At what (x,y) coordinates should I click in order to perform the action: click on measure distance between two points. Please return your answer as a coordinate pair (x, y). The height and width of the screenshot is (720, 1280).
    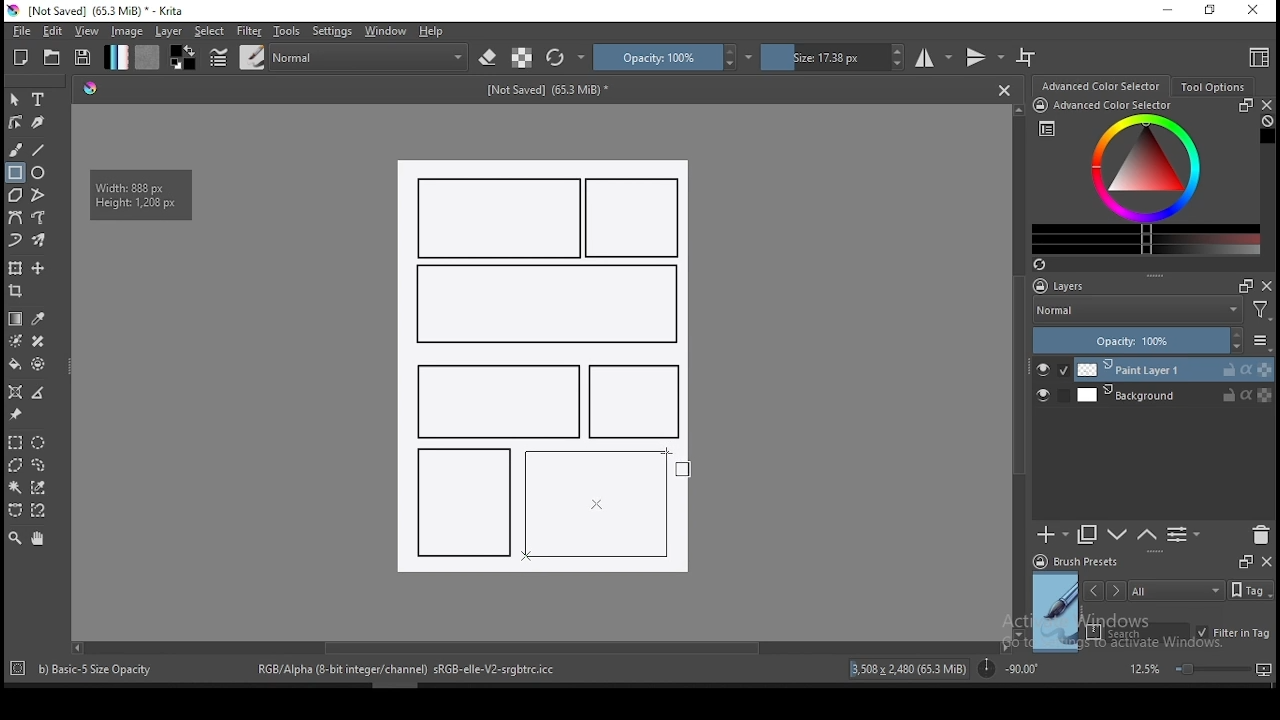
    Looking at the image, I should click on (39, 394).